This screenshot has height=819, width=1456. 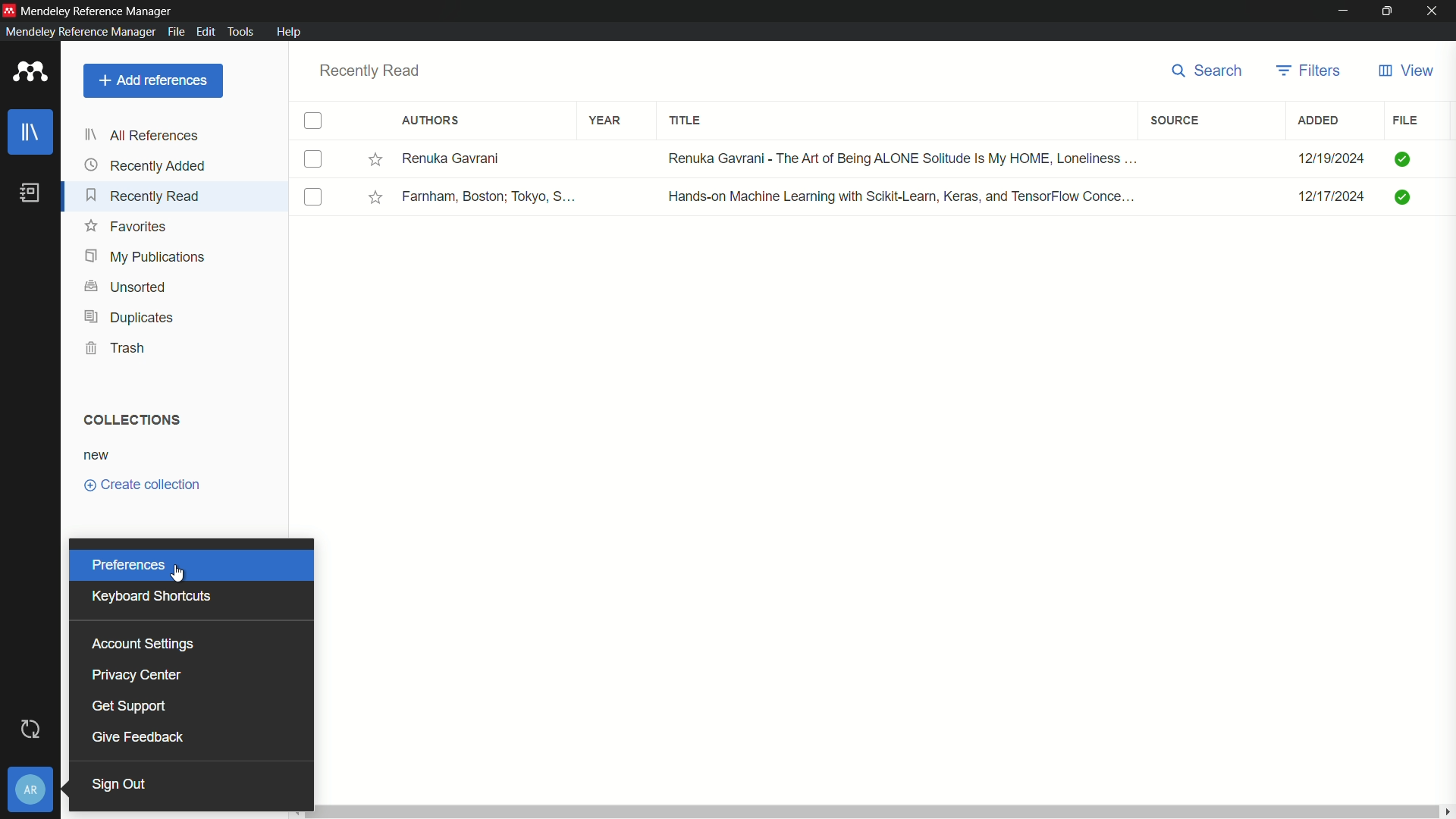 I want to click on recently added, so click(x=145, y=165).